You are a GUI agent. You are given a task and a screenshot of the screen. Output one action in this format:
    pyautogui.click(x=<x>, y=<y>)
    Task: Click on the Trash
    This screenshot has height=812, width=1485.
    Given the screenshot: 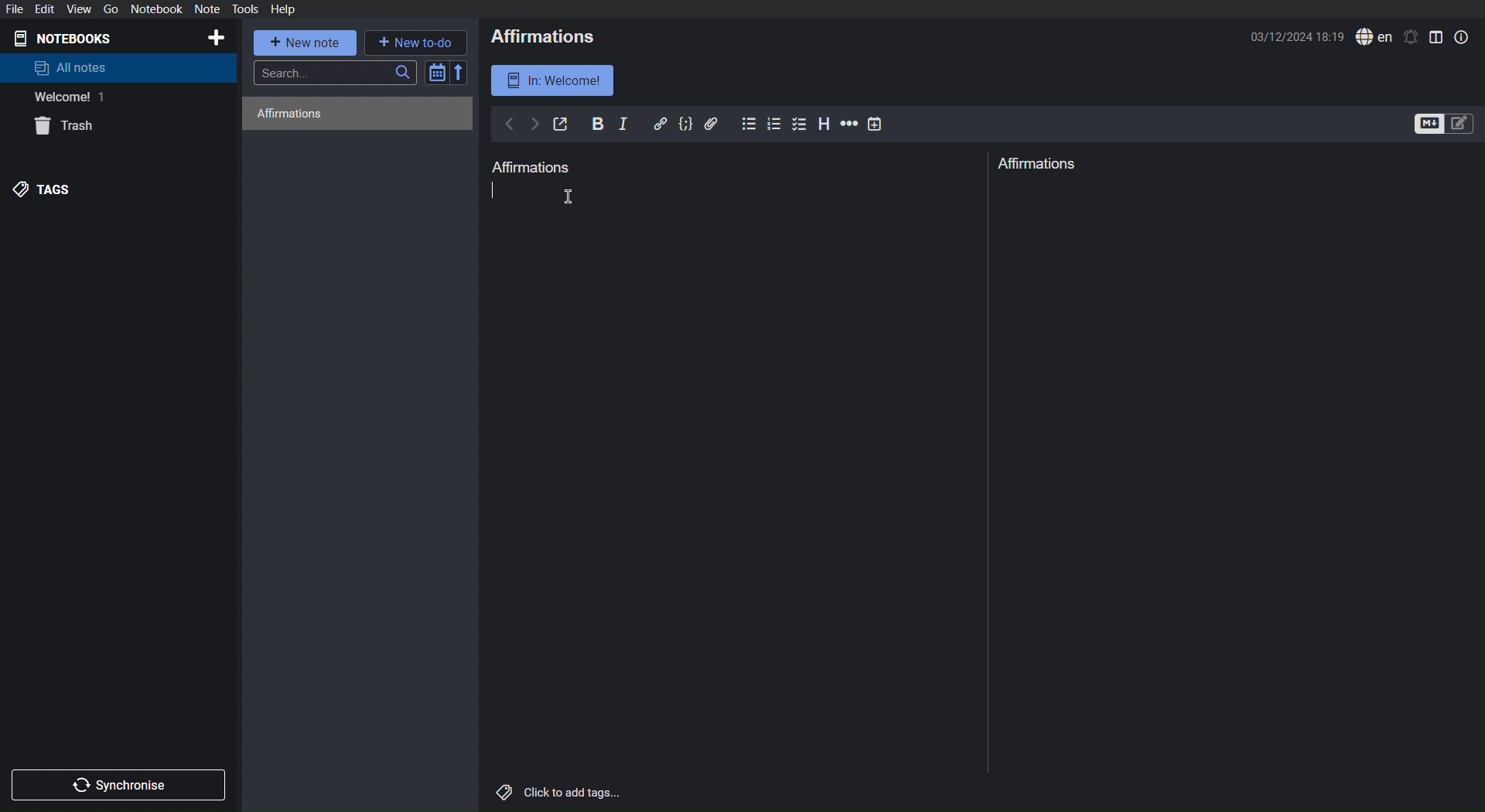 What is the action you would take?
    pyautogui.click(x=68, y=128)
    